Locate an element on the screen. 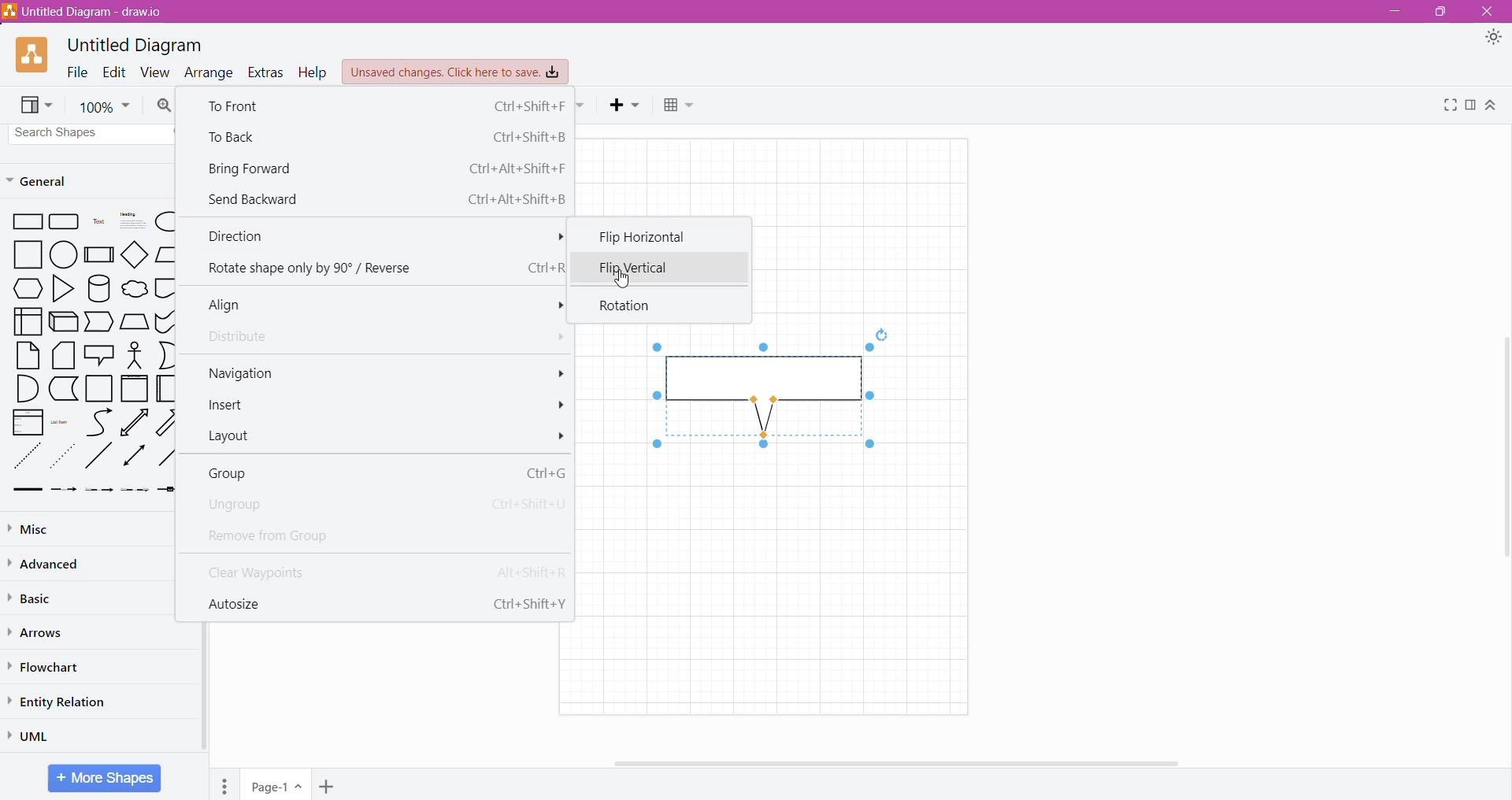 This screenshot has width=1512, height=800. Dashed Arrow is located at coordinates (64, 491).